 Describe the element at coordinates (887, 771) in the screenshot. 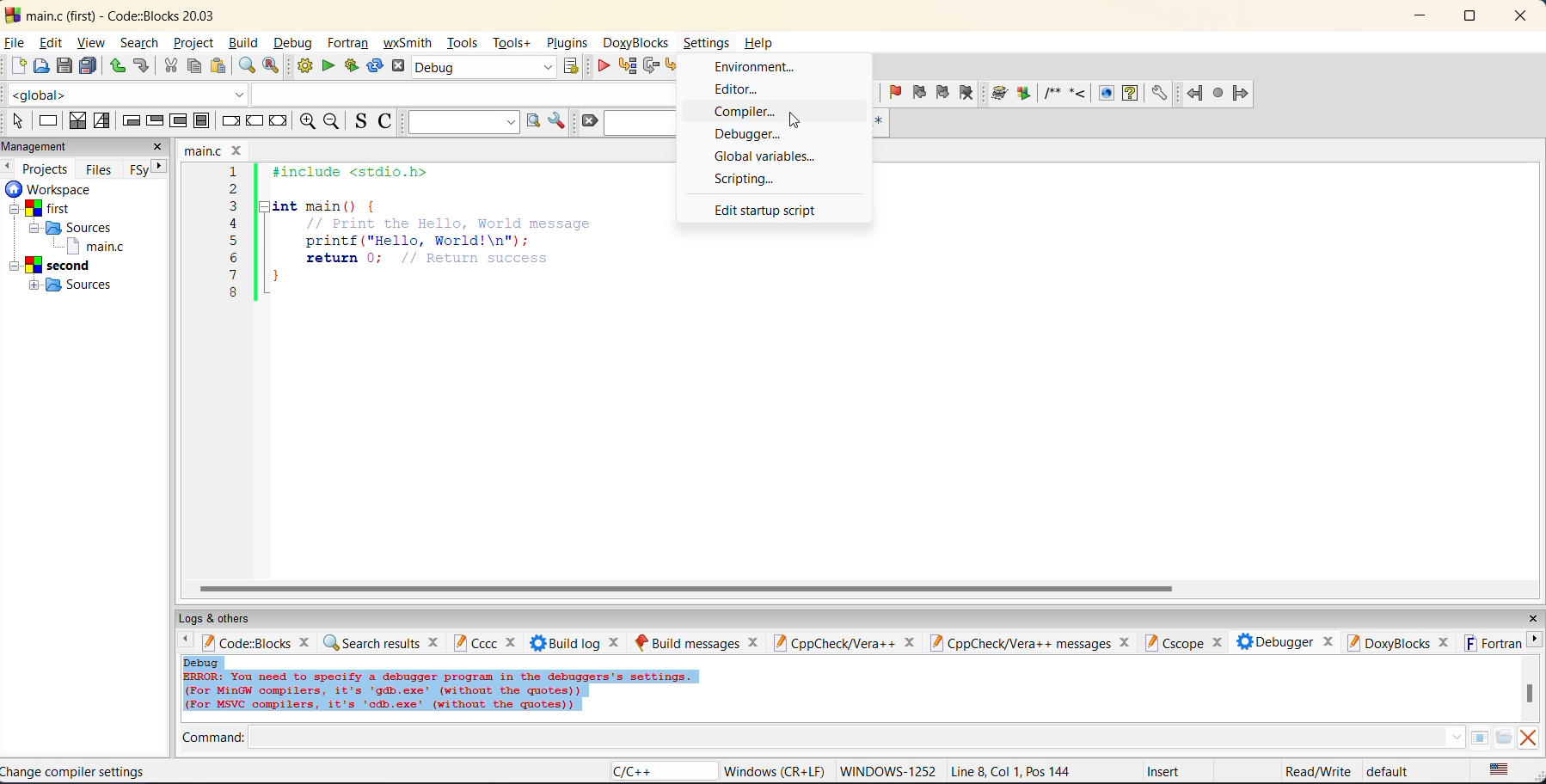

I see `'WINDOWS-1252` at that location.